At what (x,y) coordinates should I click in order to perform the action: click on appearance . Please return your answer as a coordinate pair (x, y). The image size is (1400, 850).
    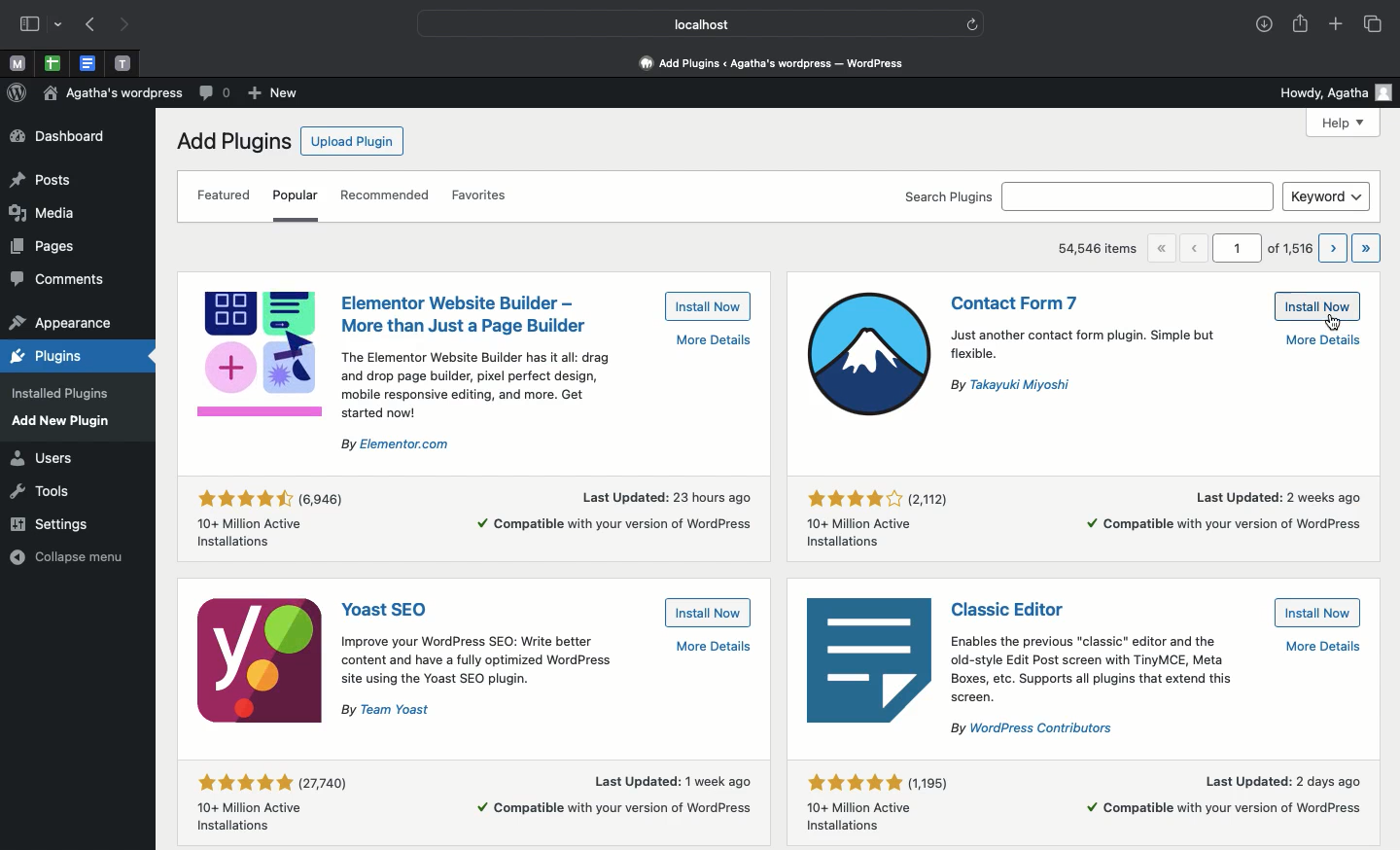
    Looking at the image, I should click on (60, 325).